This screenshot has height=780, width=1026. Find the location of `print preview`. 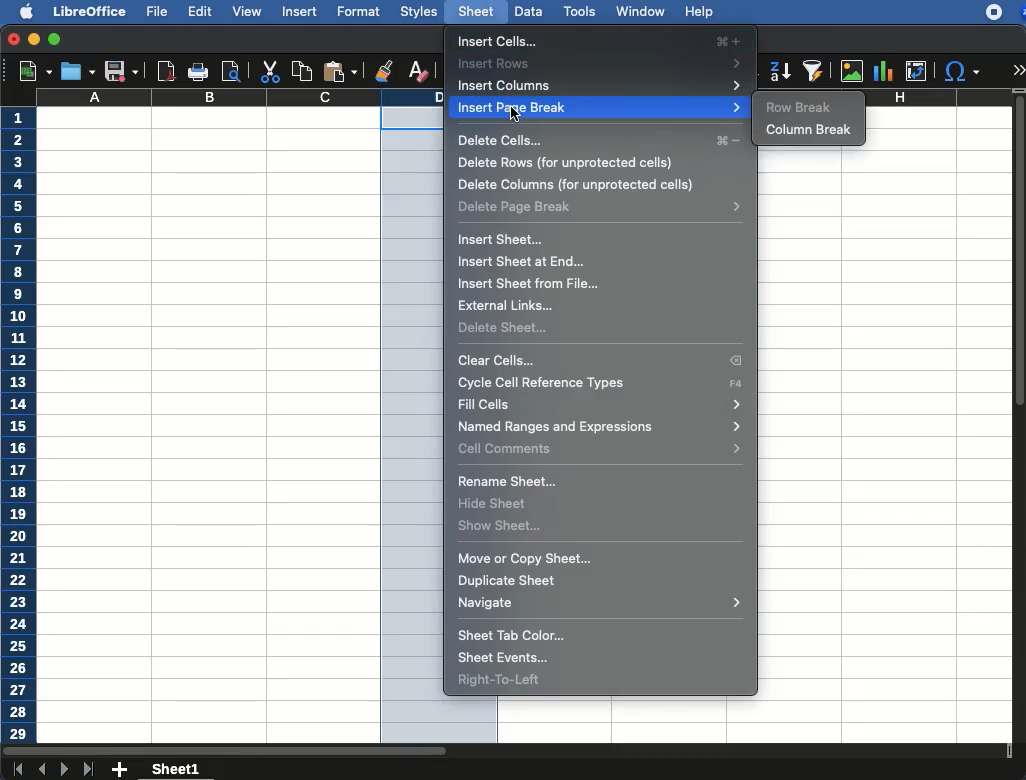

print preview is located at coordinates (233, 71).